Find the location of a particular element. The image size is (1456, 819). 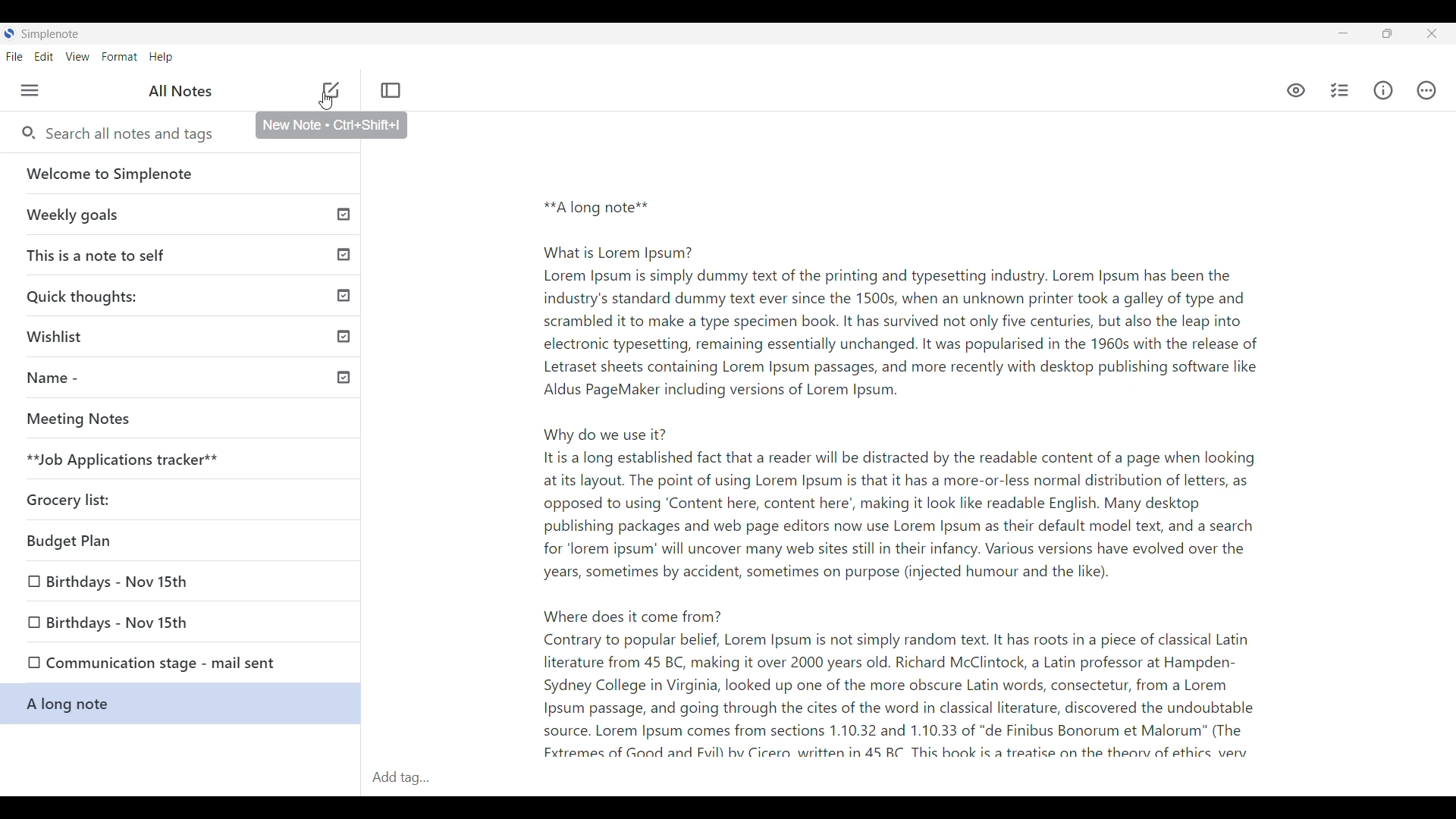

Wishlist is located at coordinates (184, 335).